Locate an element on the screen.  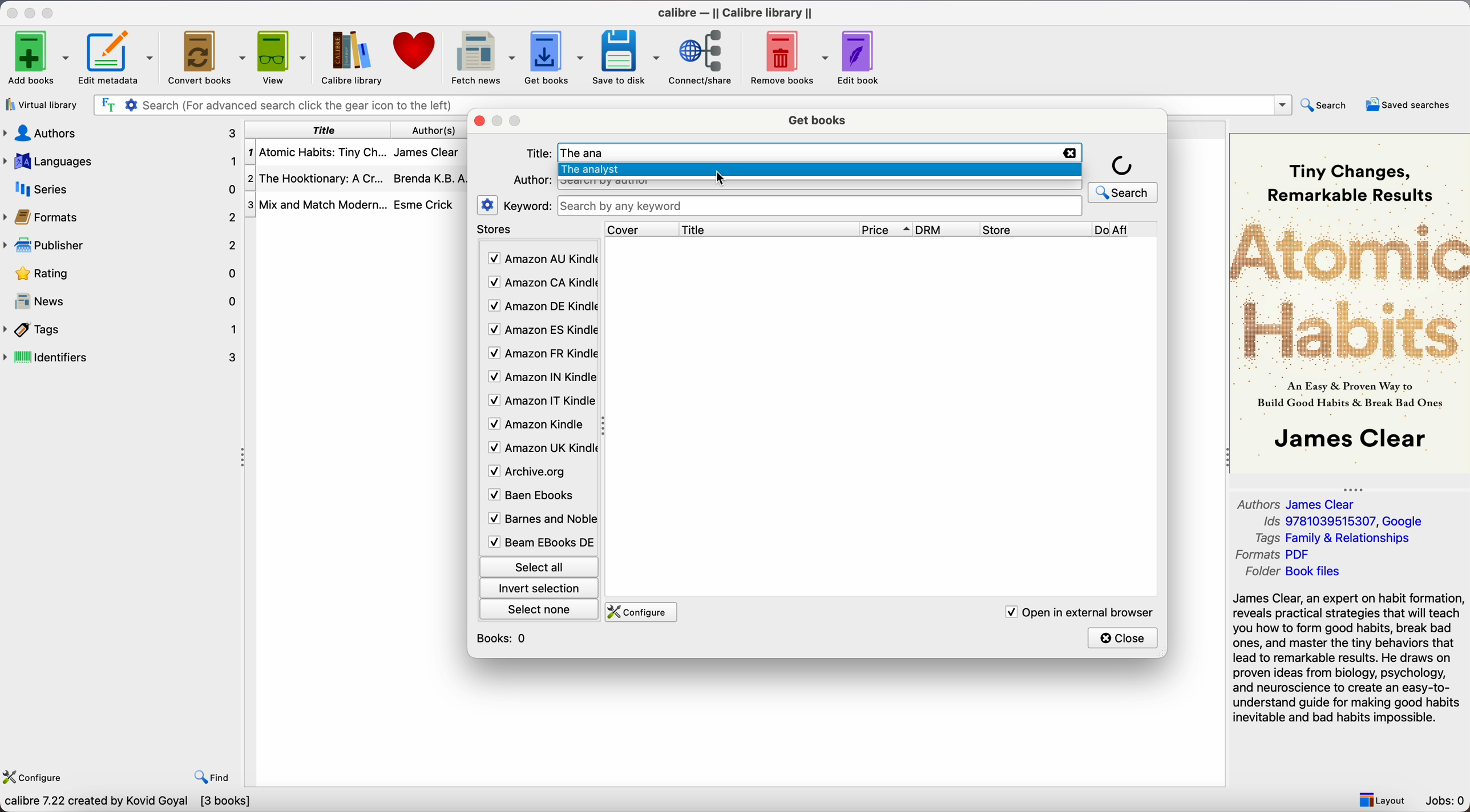
view is located at coordinates (281, 57).